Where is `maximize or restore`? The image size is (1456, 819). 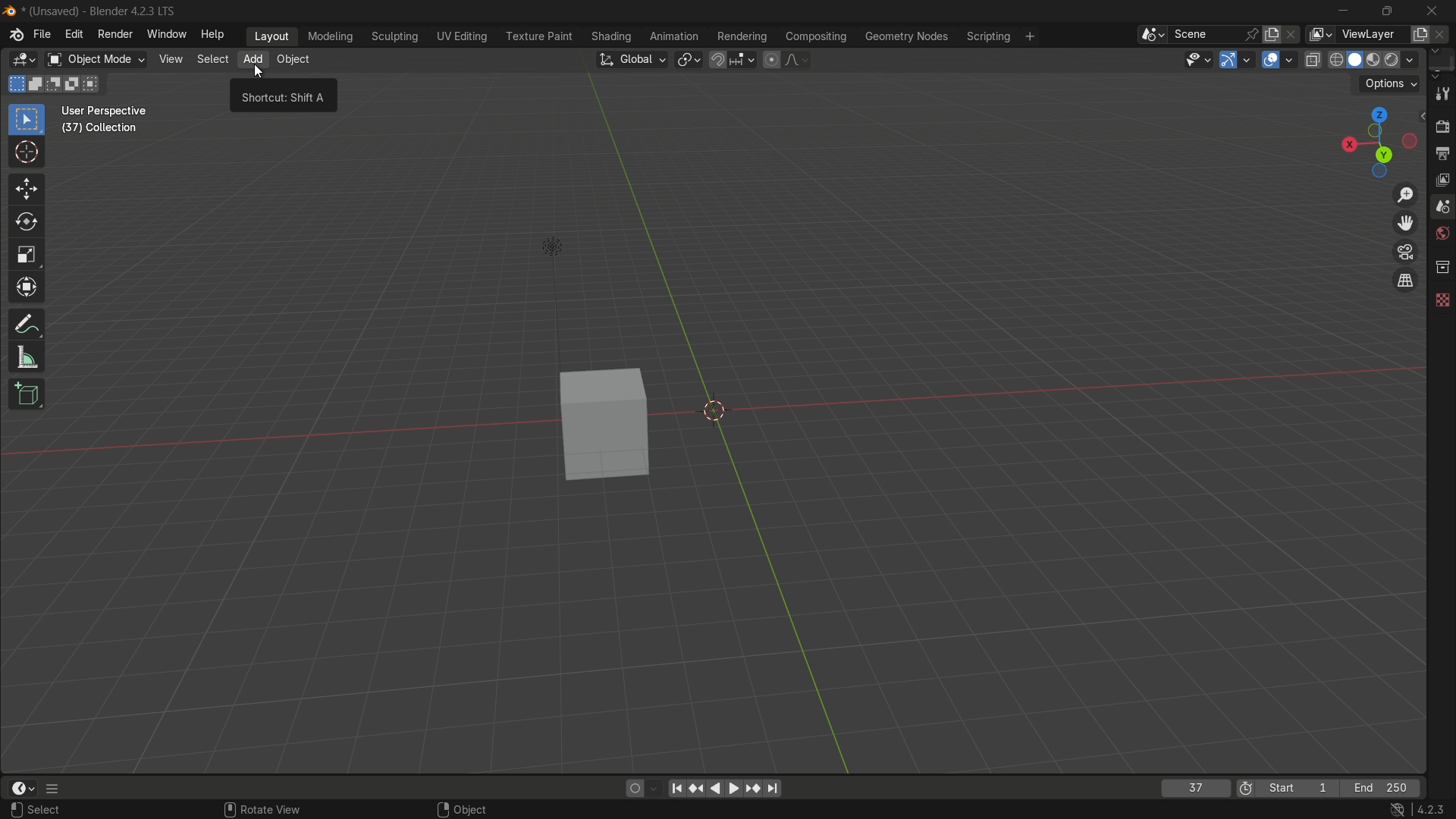 maximize or restore is located at coordinates (1385, 11).